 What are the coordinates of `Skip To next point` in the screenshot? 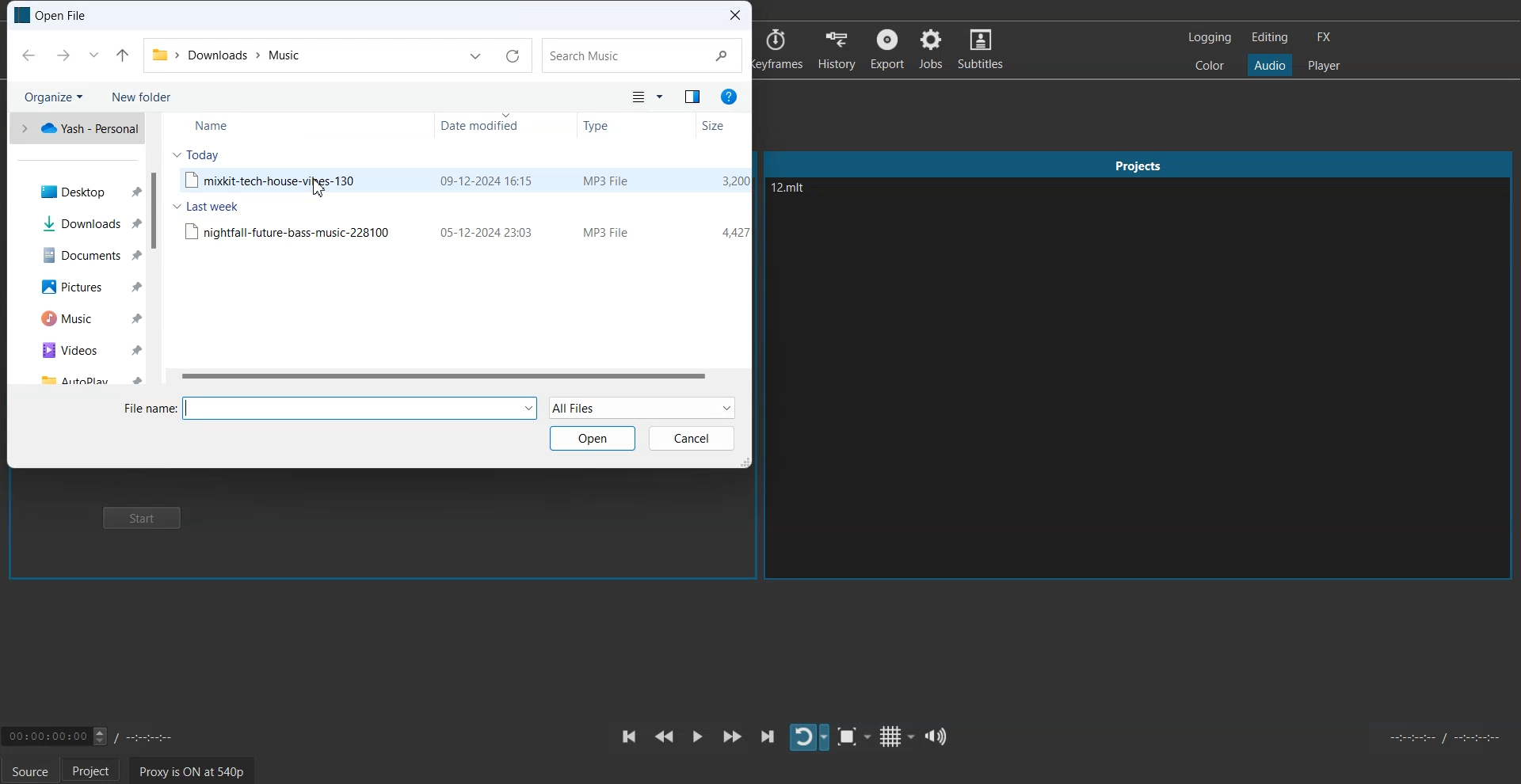 It's located at (768, 736).